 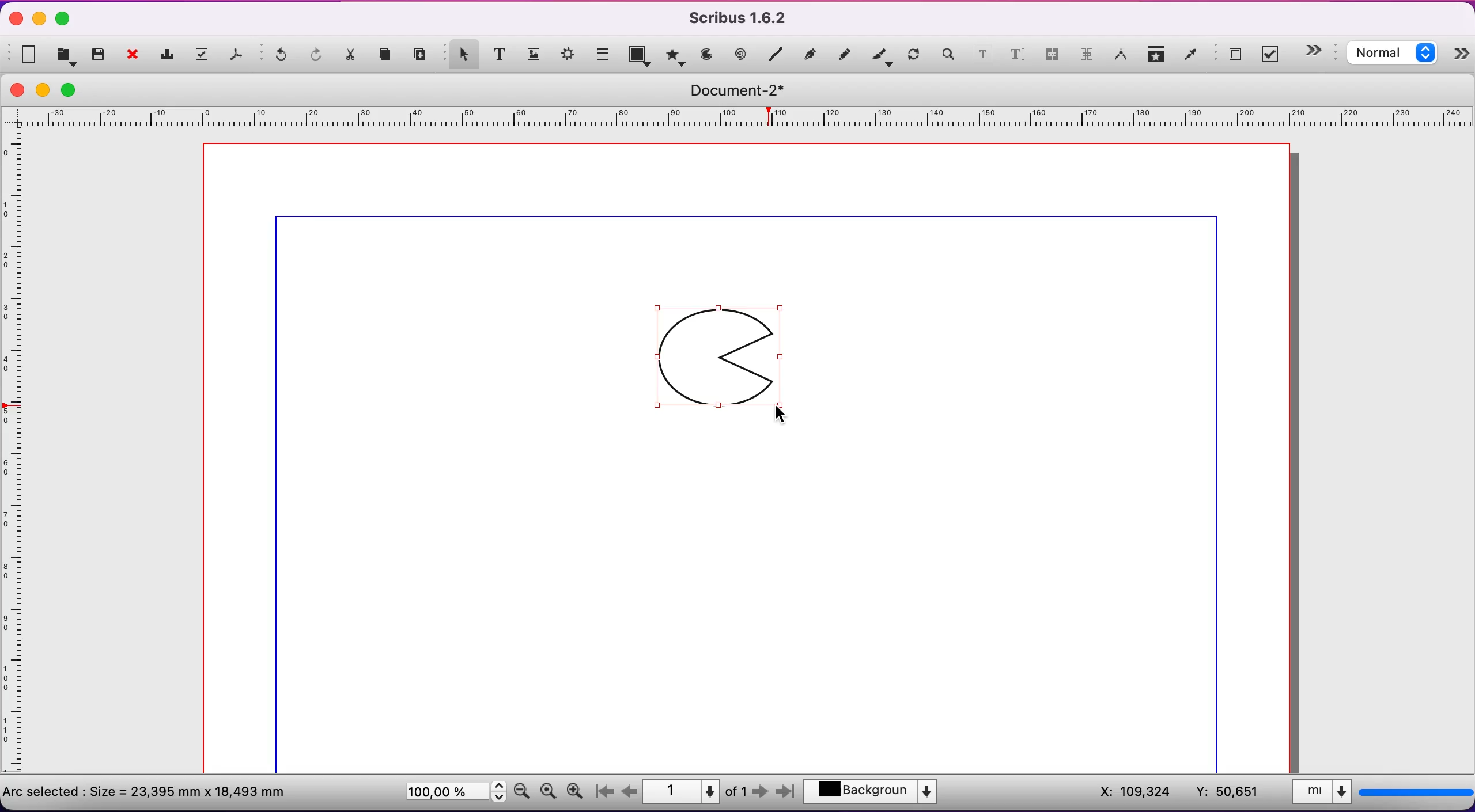 I want to click on link text frames, so click(x=1052, y=58).